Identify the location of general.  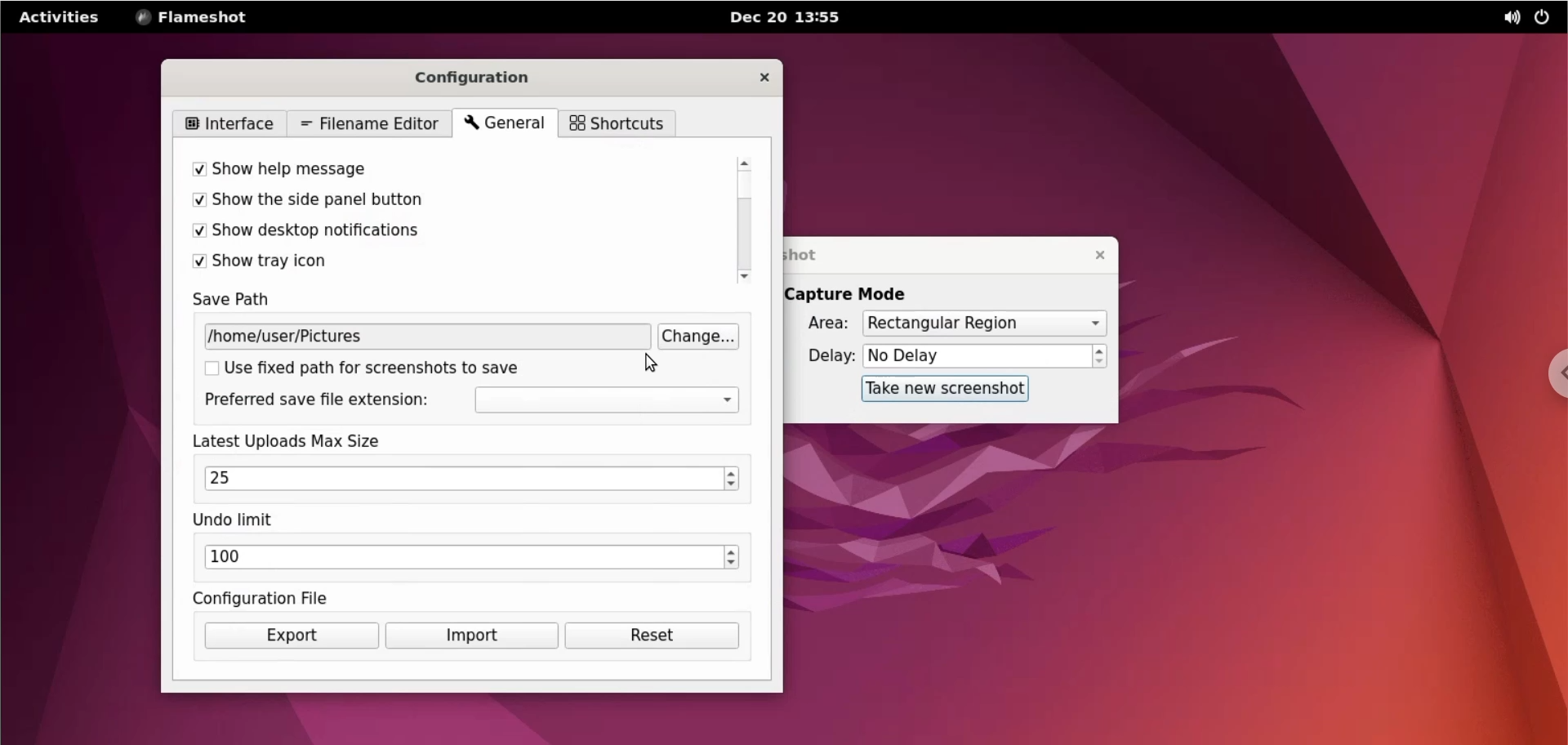
(506, 124).